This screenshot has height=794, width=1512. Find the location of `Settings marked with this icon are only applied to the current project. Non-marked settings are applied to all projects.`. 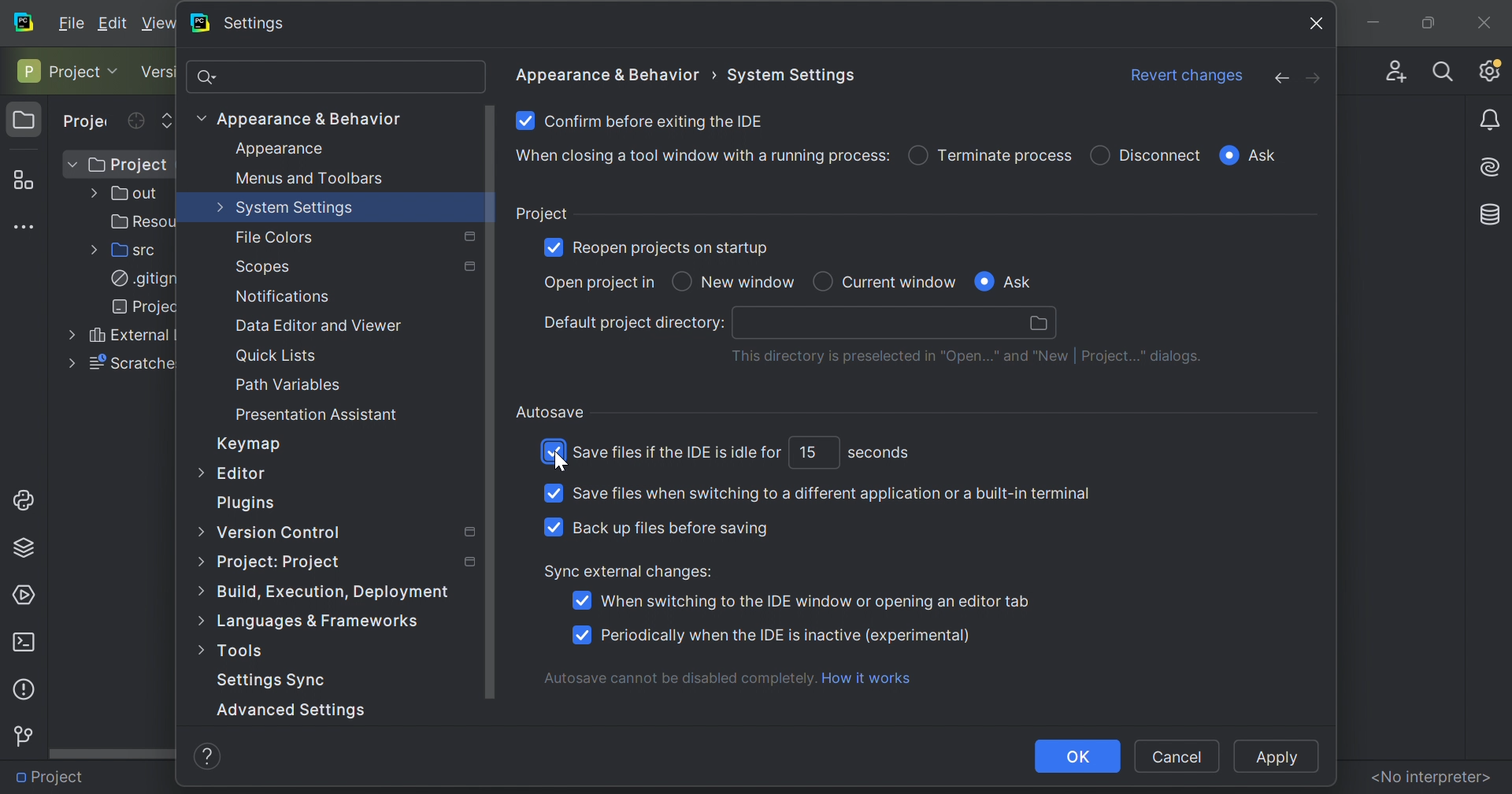

Settings marked with this icon are only applied to the current project. Non-marked settings are applied to all projects. is located at coordinates (468, 268).